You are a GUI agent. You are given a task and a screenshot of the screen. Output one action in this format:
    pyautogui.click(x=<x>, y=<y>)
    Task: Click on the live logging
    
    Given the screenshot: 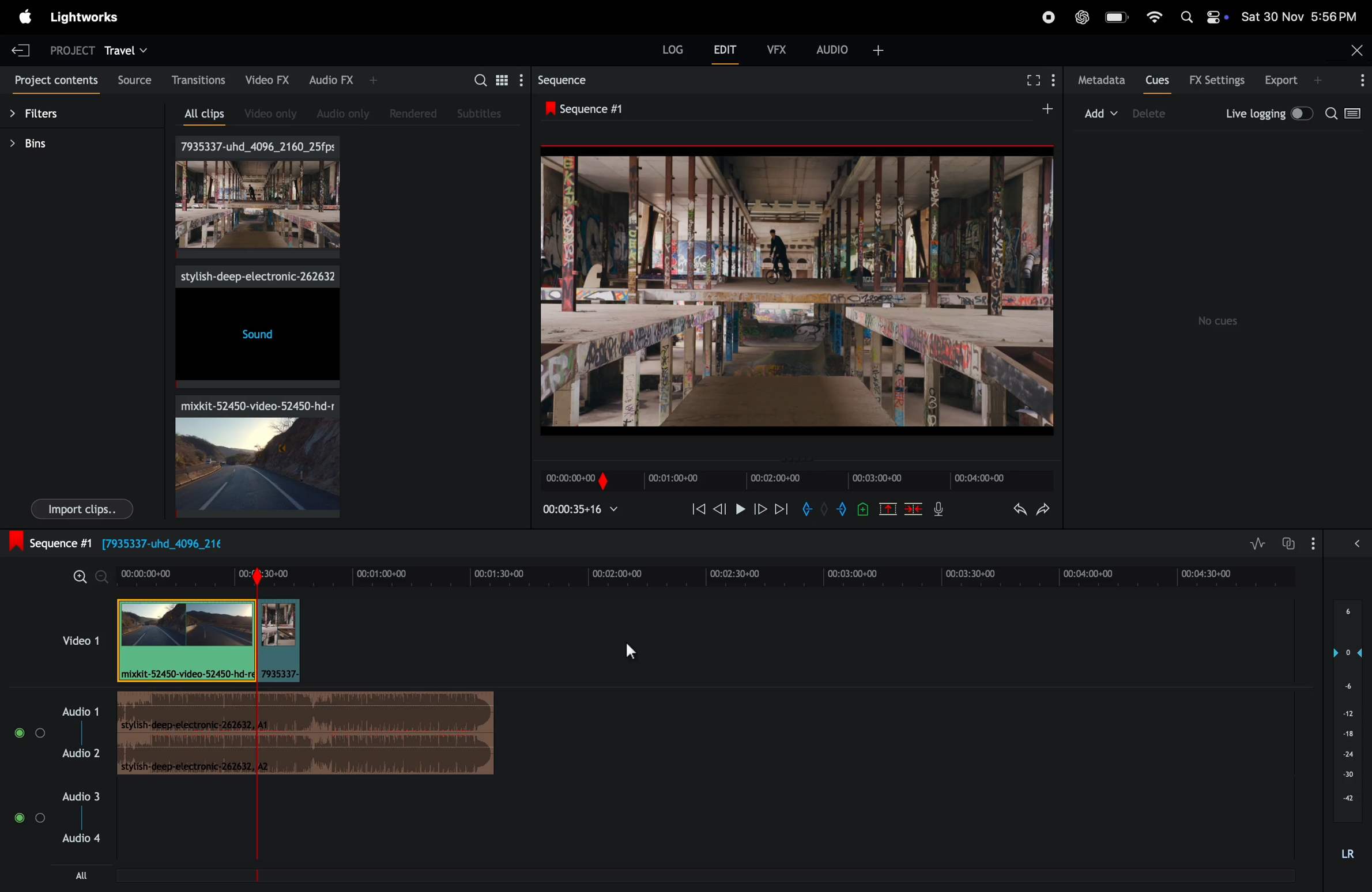 What is the action you would take?
    pyautogui.click(x=1266, y=112)
    